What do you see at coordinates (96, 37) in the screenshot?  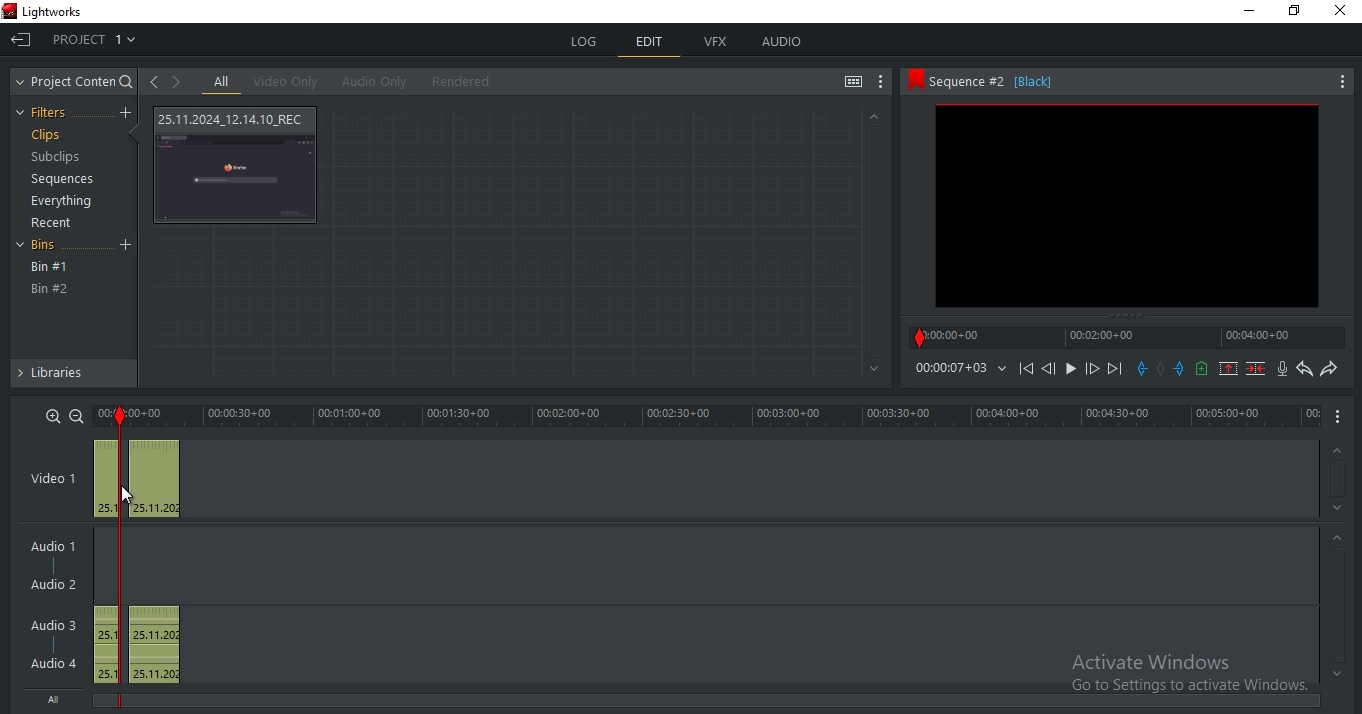 I see `project 1` at bounding box center [96, 37].